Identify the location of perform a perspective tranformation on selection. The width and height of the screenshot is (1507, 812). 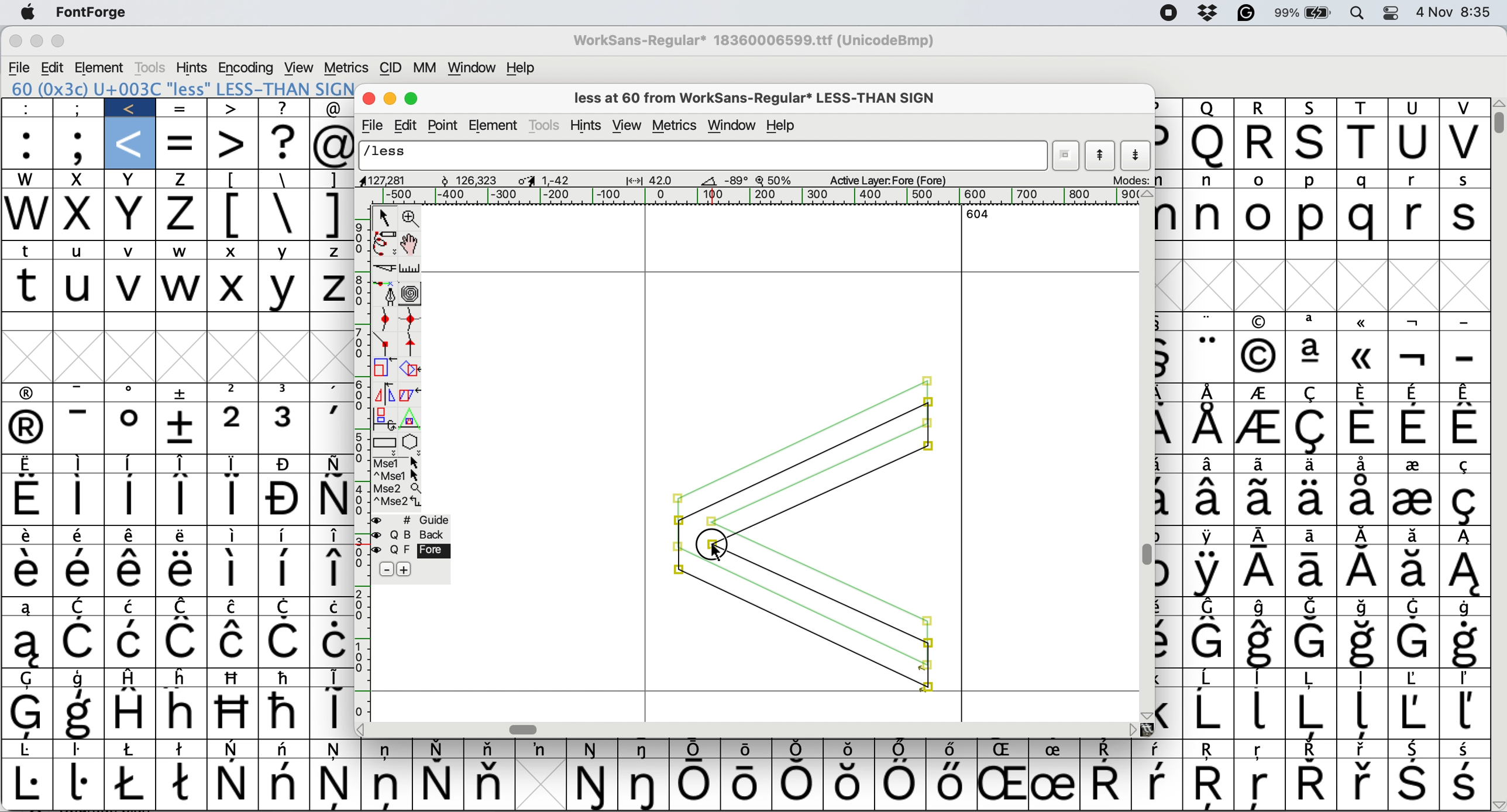
(415, 416).